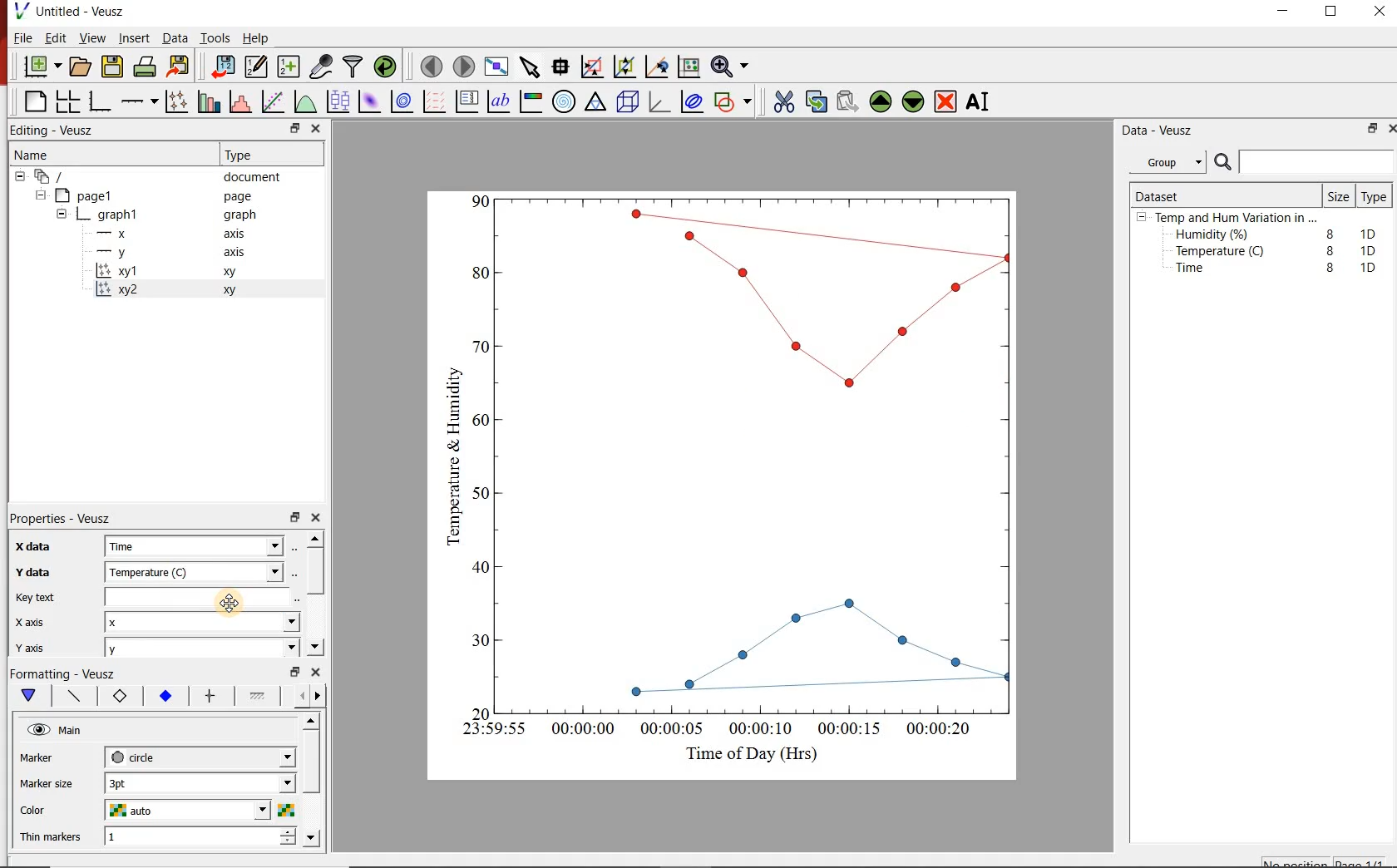  I want to click on Cursor, so click(246, 599).